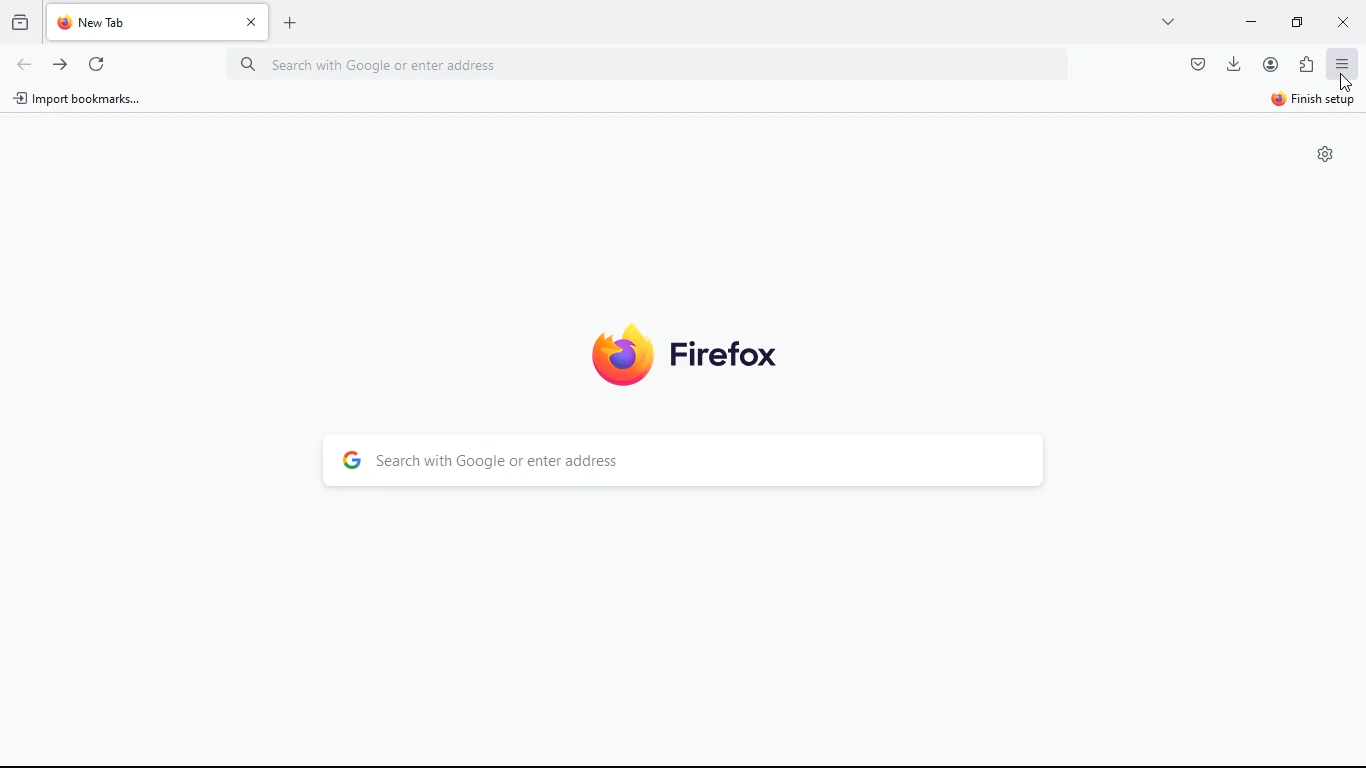 The width and height of the screenshot is (1366, 768). Describe the element at coordinates (61, 66) in the screenshot. I see `forward` at that location.